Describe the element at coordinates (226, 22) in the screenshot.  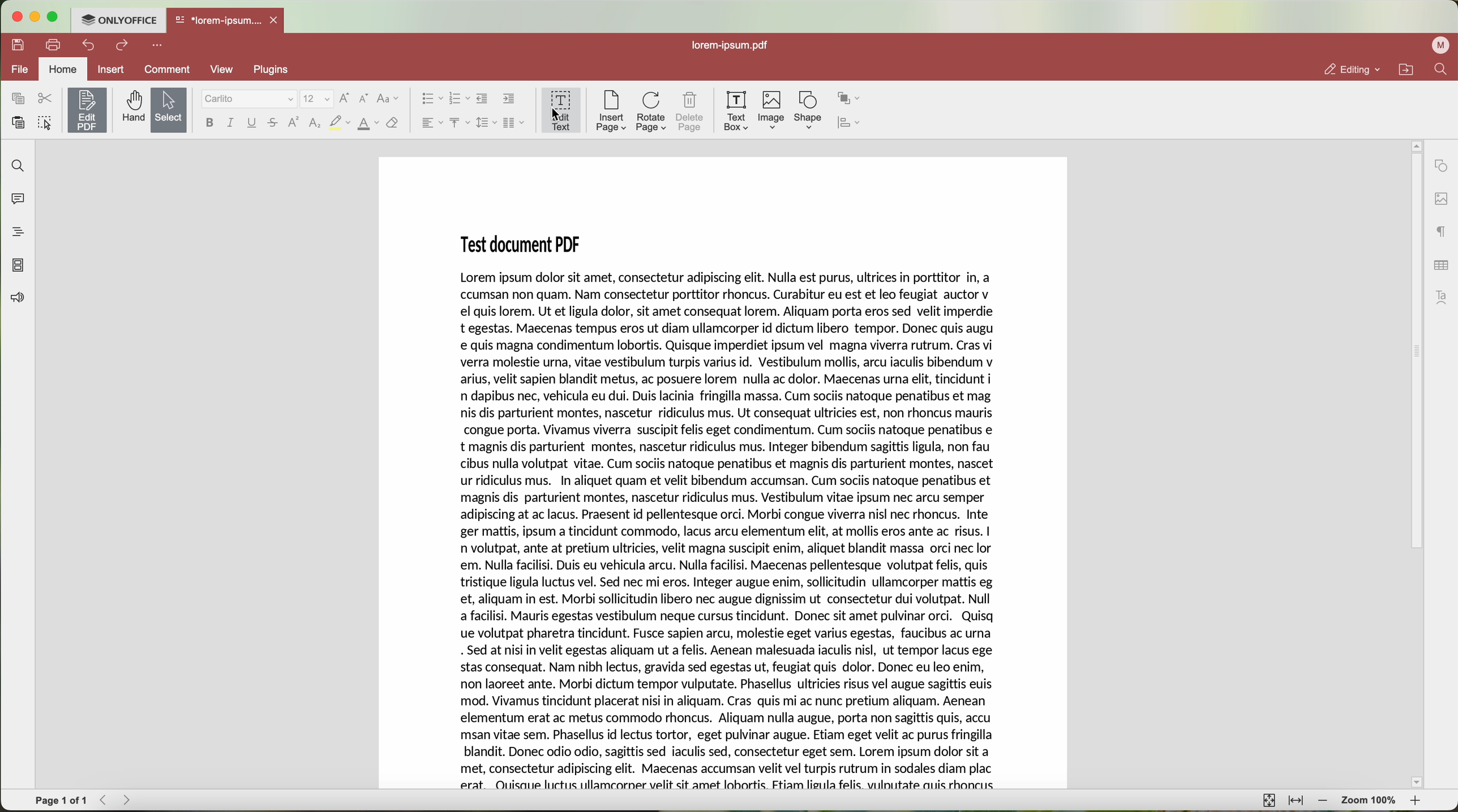
I see `open file` at that location.